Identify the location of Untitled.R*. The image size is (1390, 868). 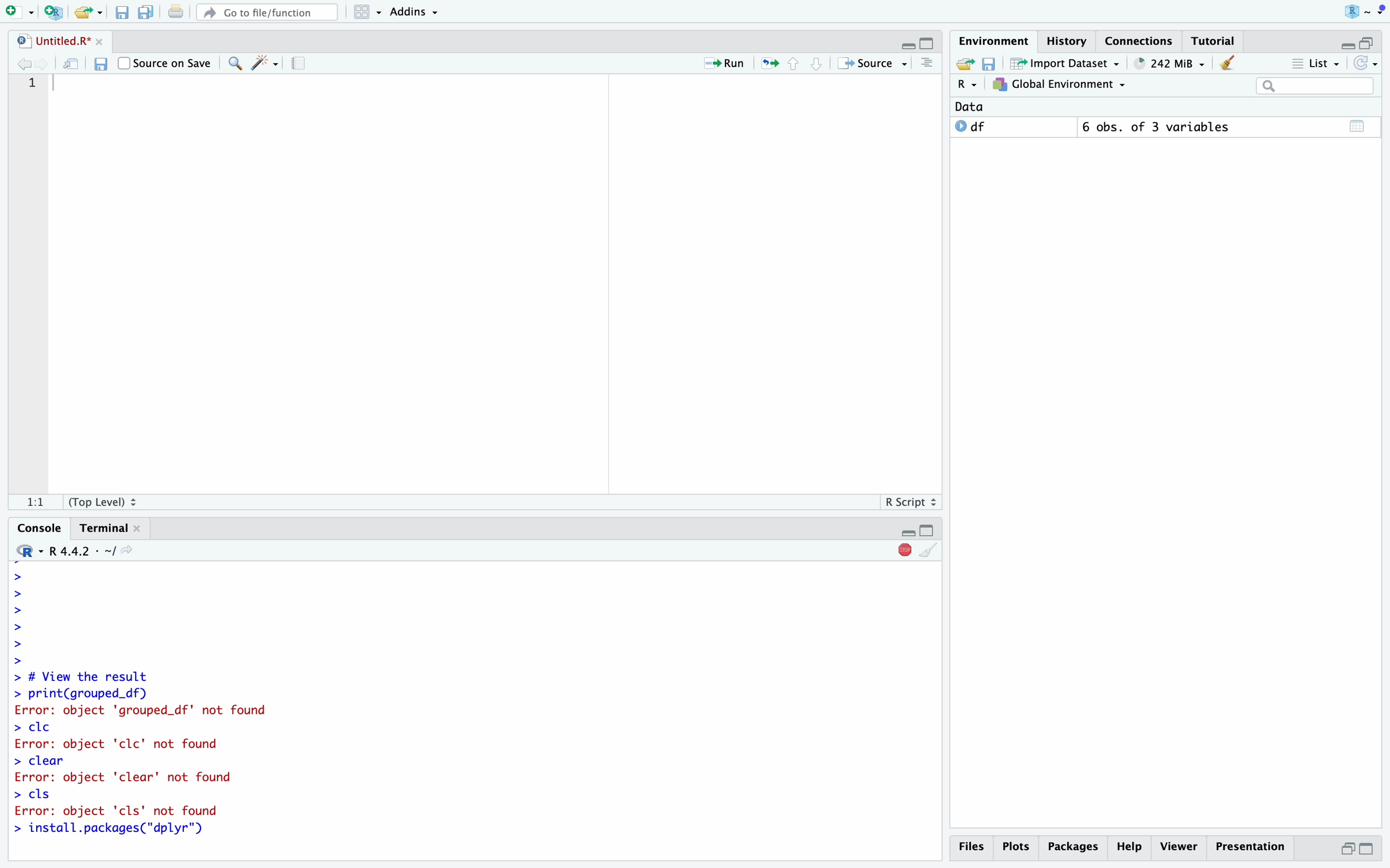
(59, 40).